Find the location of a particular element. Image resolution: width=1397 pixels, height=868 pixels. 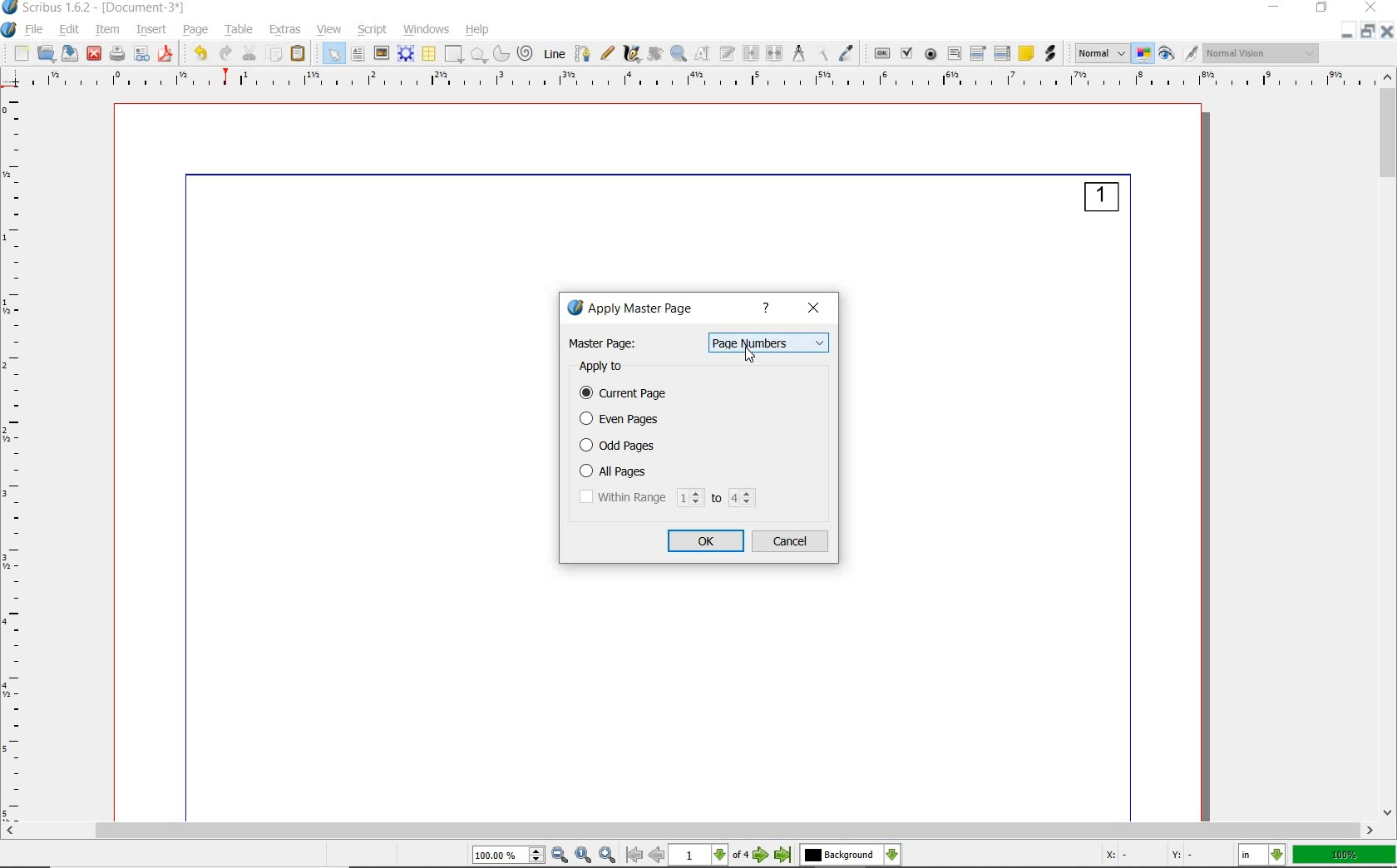

extras is located at coordinates (287, 30).